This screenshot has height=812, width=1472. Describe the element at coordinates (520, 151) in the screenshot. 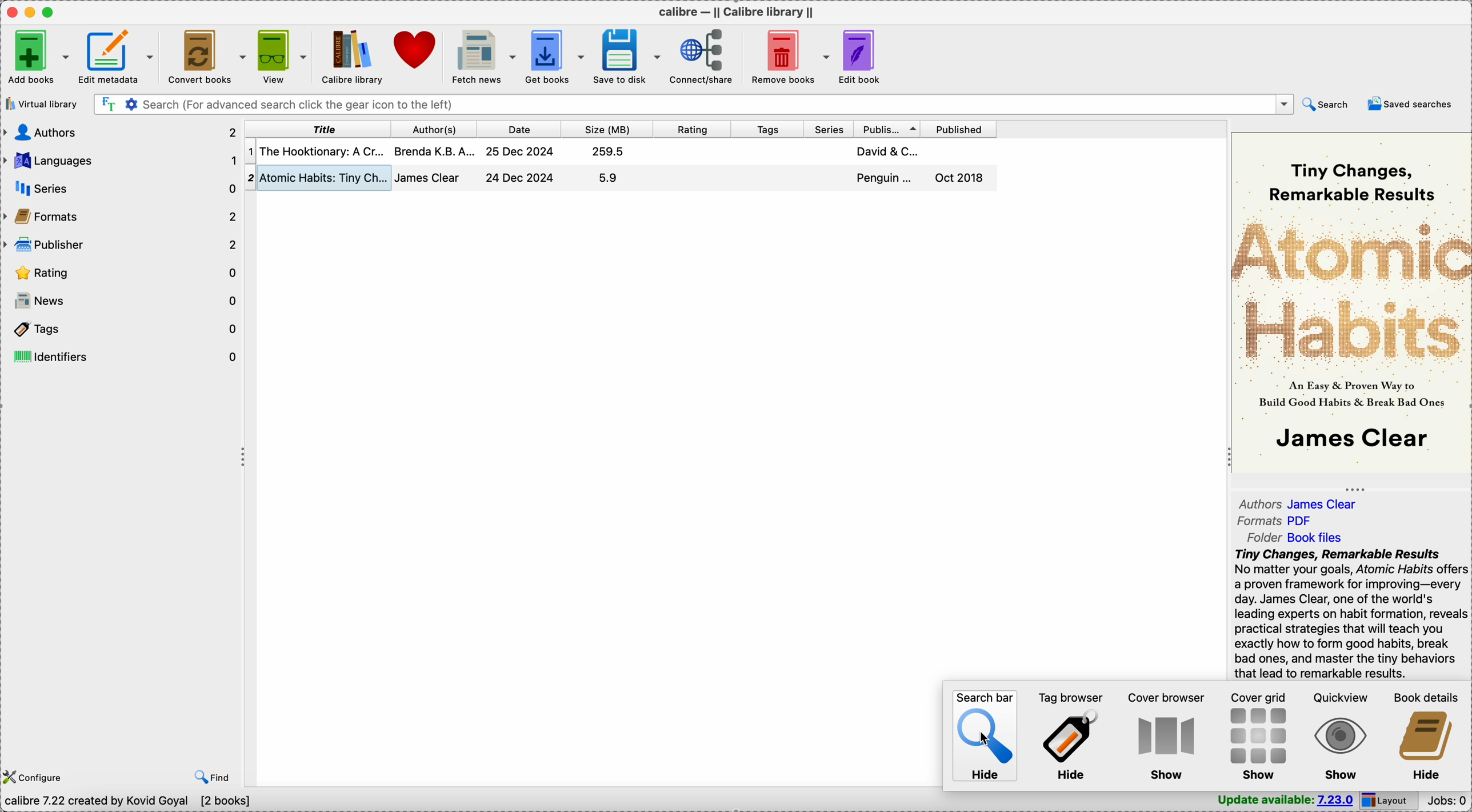

I see `25 Dec 2024` at that location.